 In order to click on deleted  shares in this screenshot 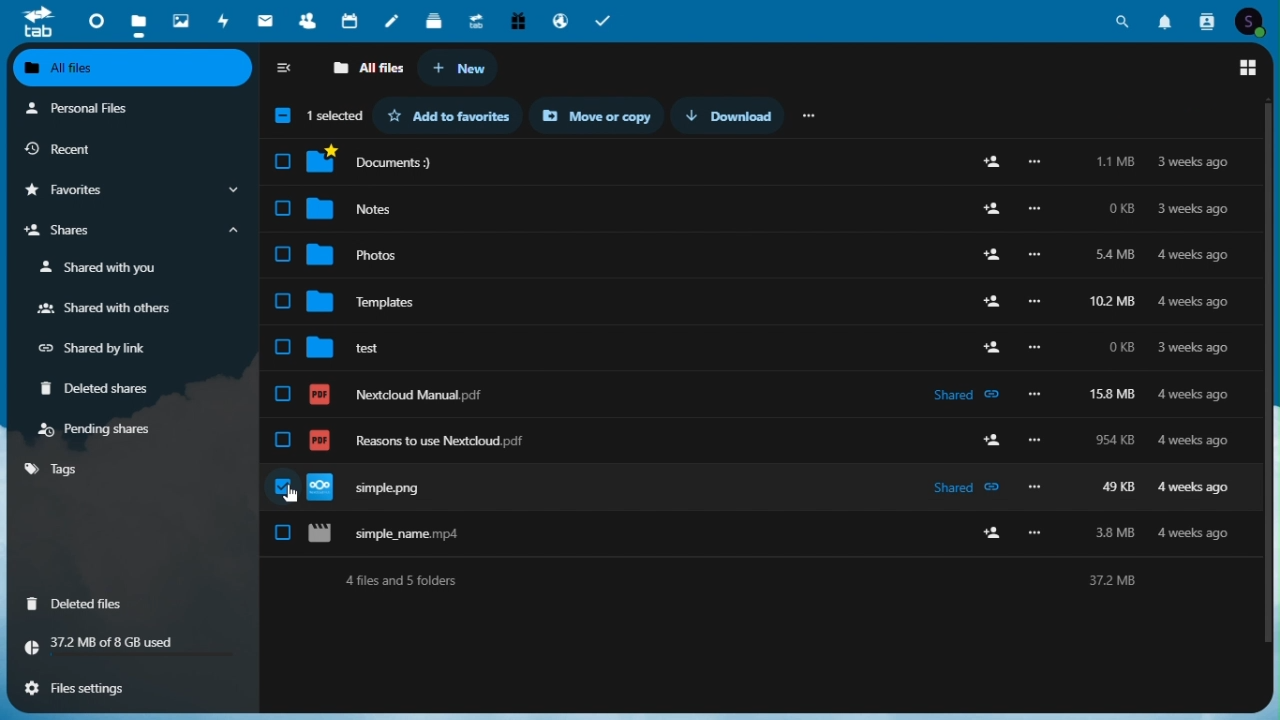, I will do `click(103, 390)`.